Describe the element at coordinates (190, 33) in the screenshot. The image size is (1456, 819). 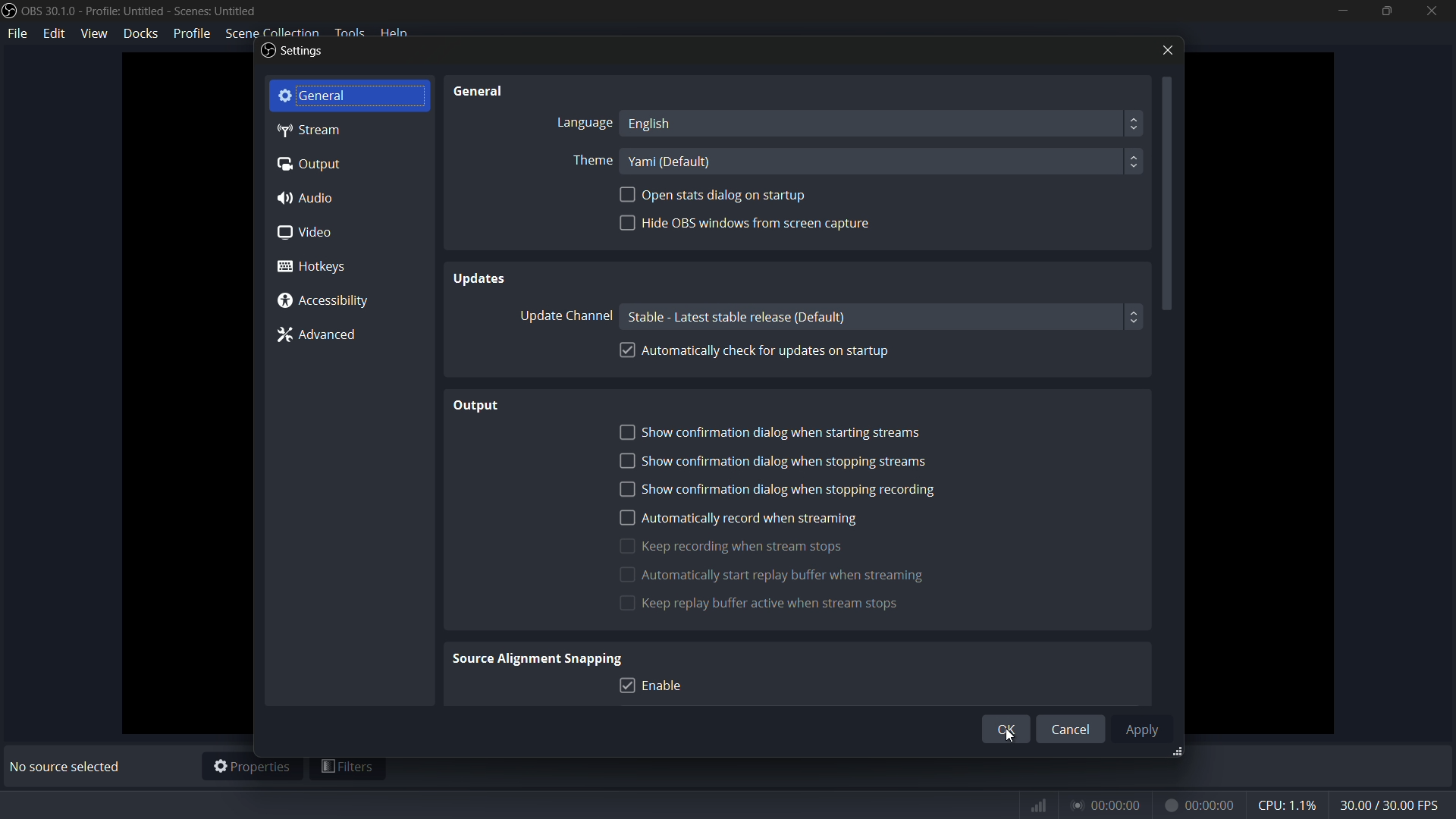
I see `profile` at that location.